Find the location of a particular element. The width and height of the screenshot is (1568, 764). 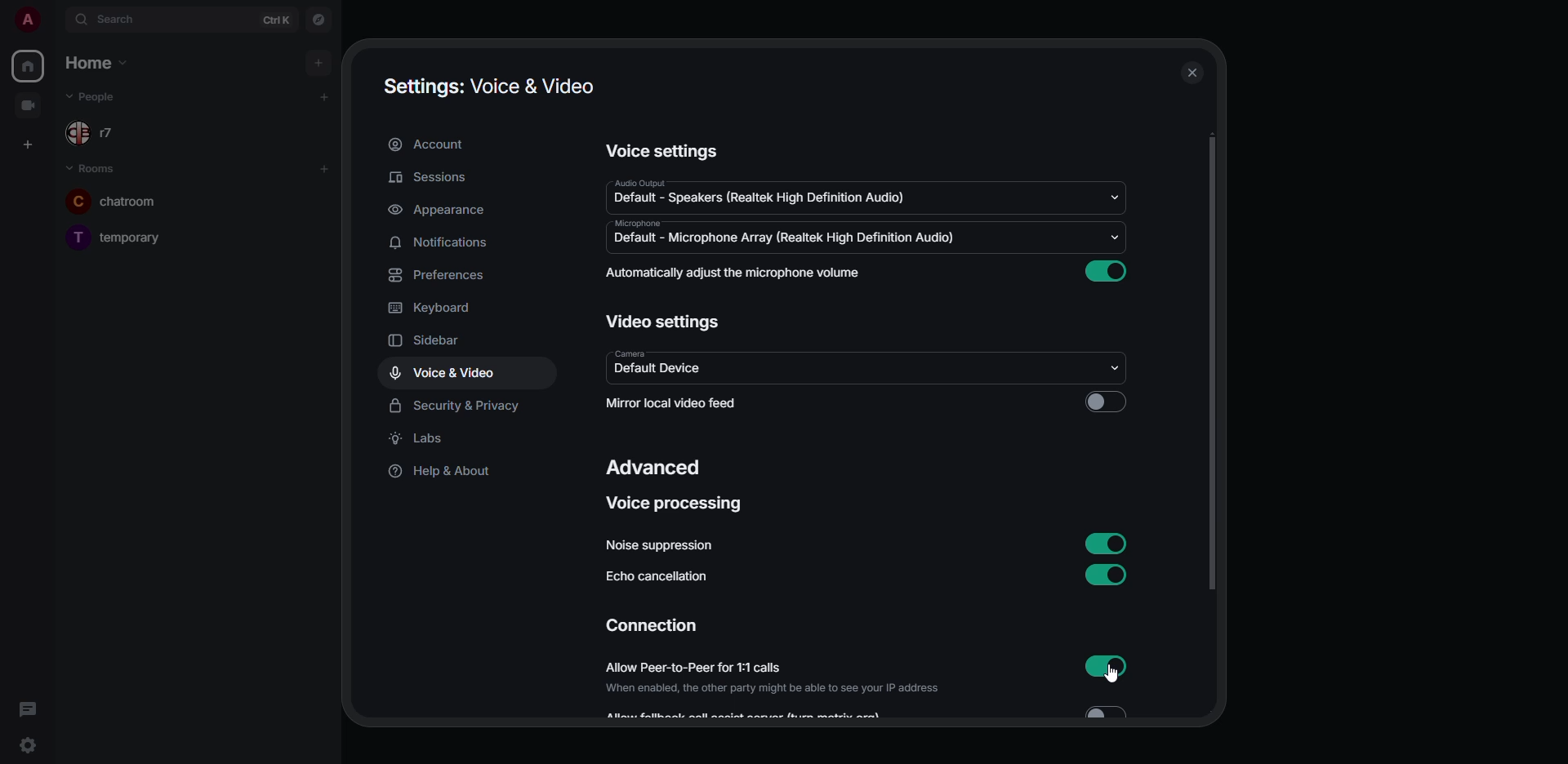

add is located at coordinates (324, 96).